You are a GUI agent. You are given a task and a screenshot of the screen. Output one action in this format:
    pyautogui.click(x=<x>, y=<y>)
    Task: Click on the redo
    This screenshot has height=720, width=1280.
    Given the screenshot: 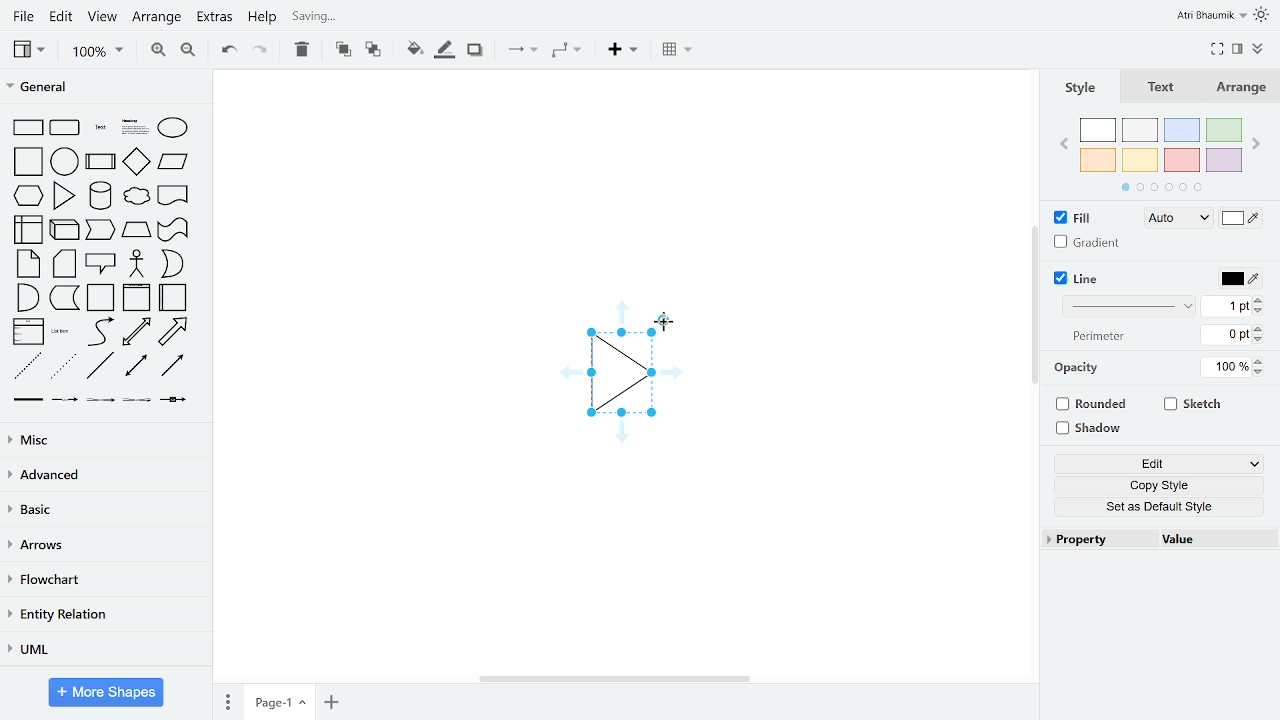 What is the action you would take?
    pyautogui.click(x=261, y=50)
    